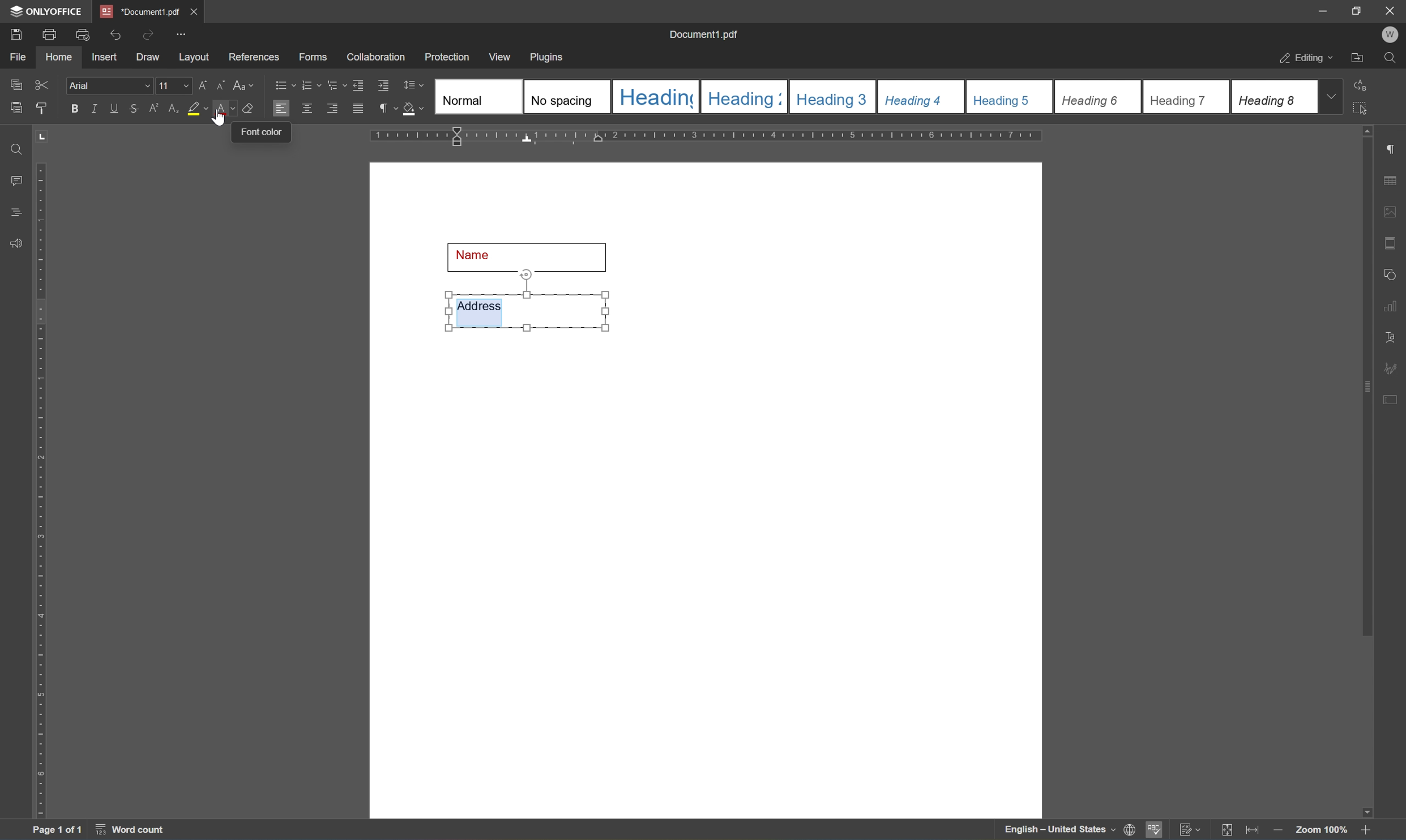  Describe the element at coordinates (1392, 335) in the screenshot. I see `text art settings` at that location.